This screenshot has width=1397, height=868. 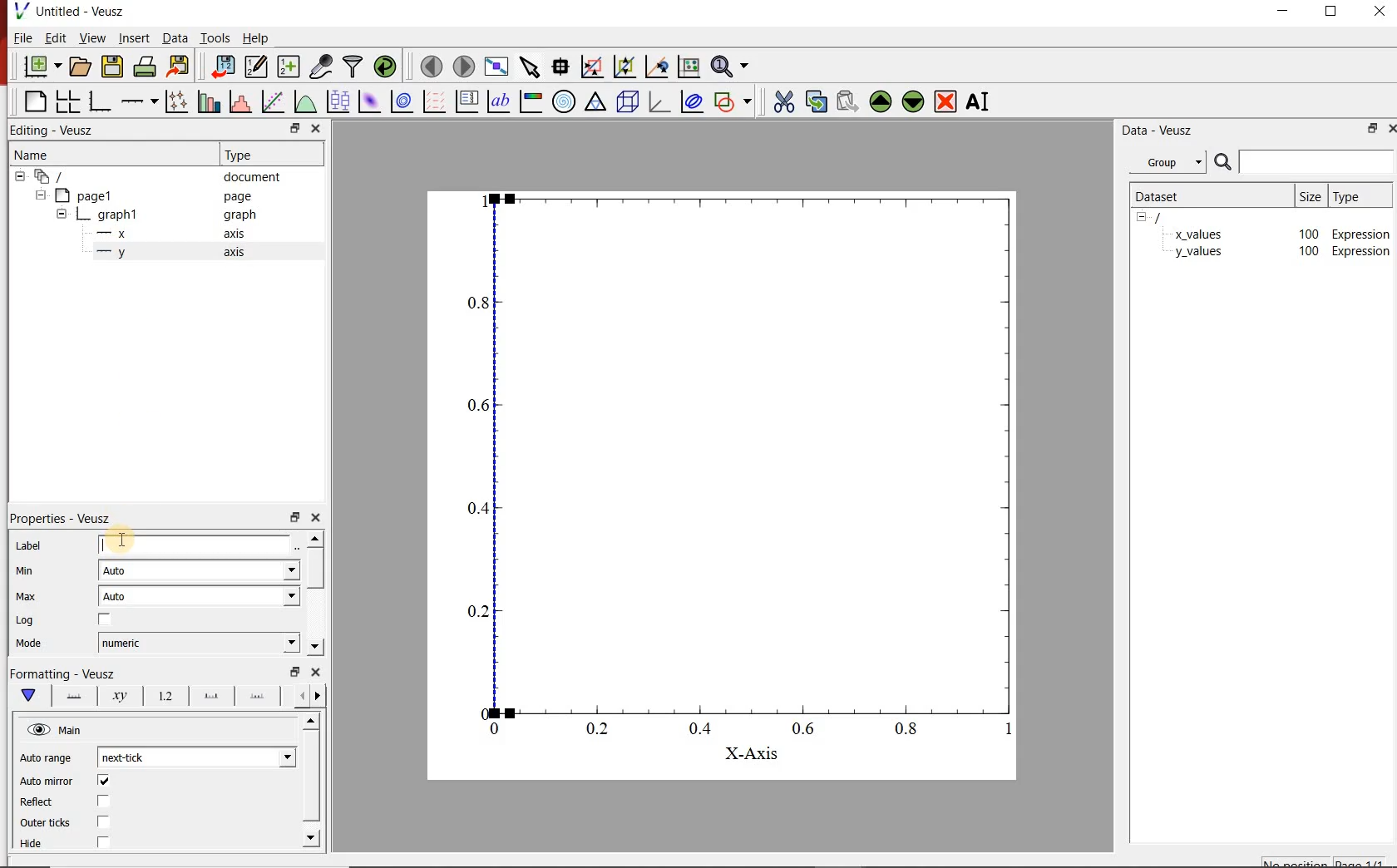 I want to click on veusz logo, so click(x=16, y=11).